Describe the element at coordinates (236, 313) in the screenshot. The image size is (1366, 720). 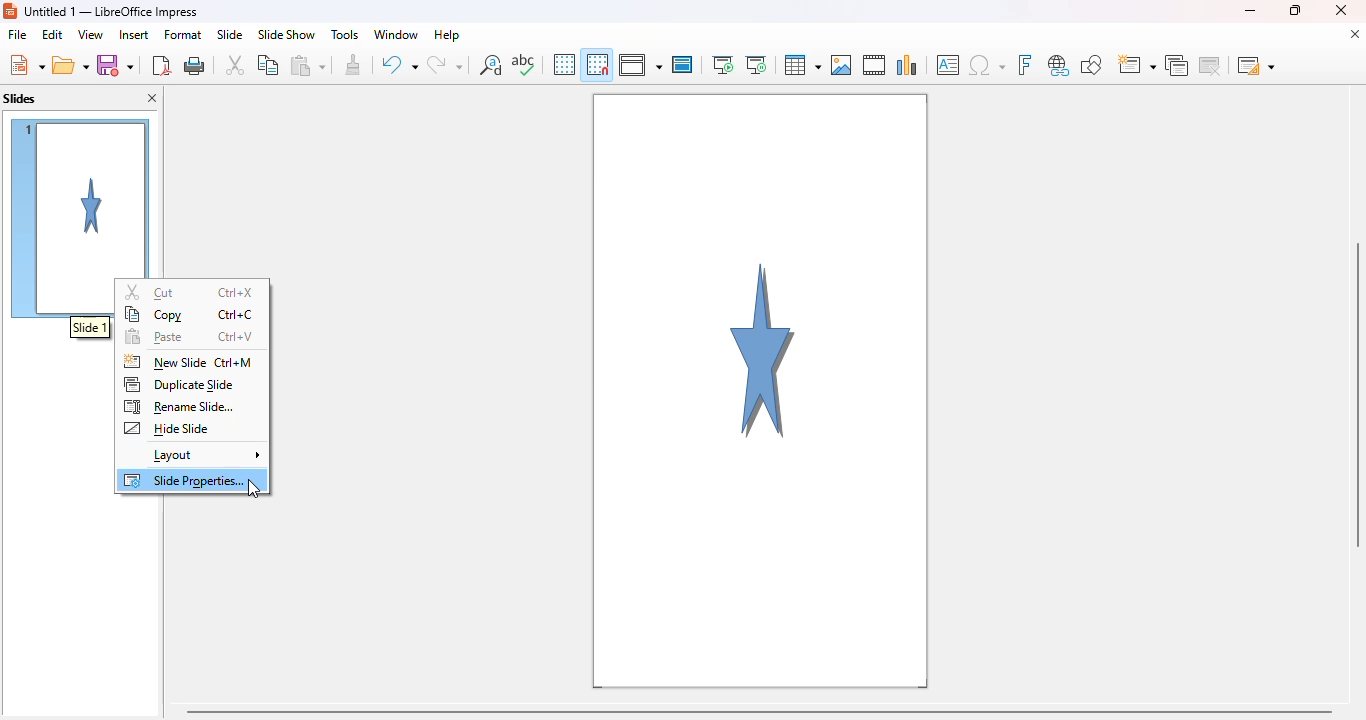
I see `shortcut for copy "Ctrl+C"` at that location.